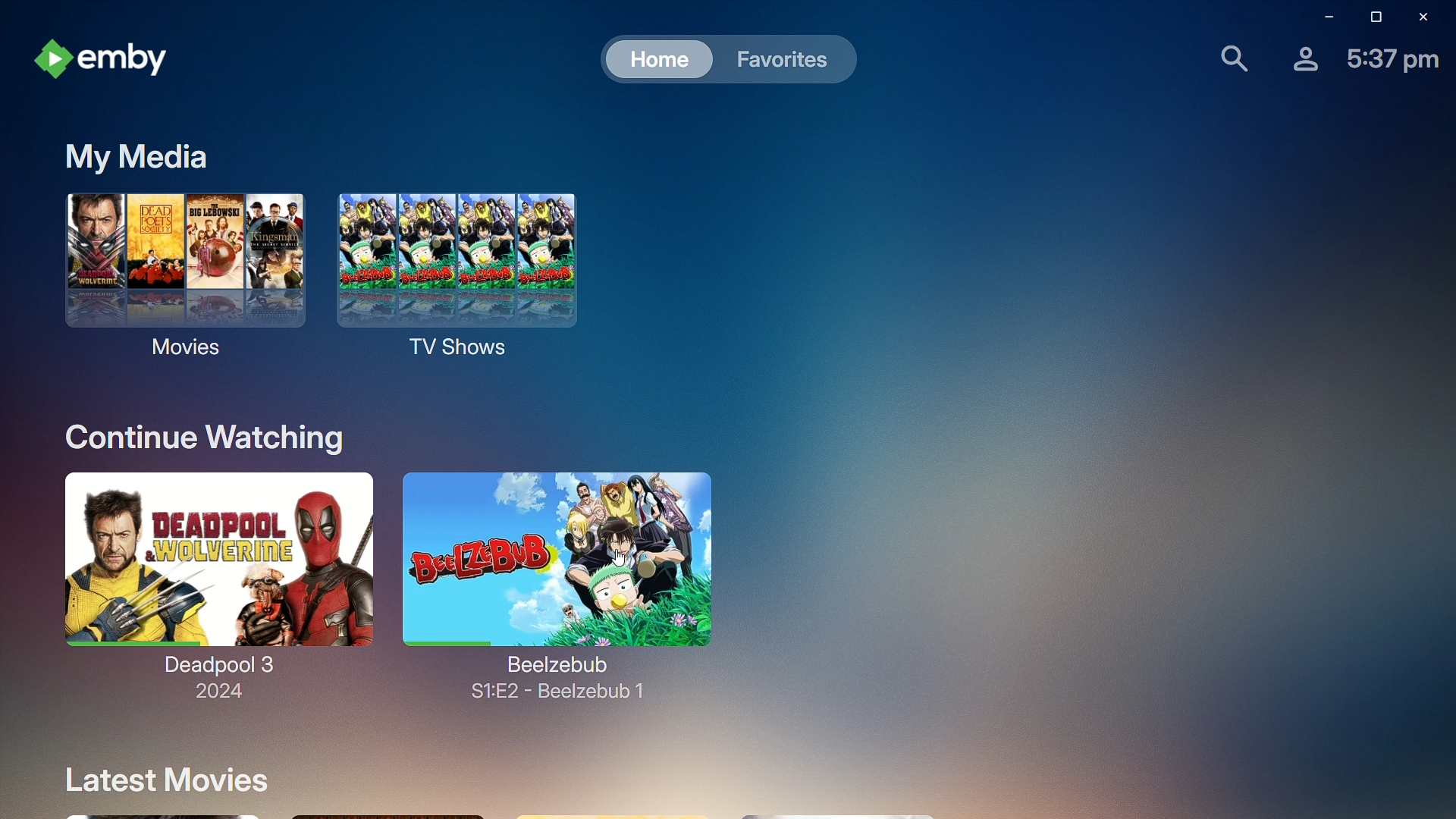  What do you see at coordinates (653, 59) in the screenshot?
I see `Home` at bounding box center [653, 59].